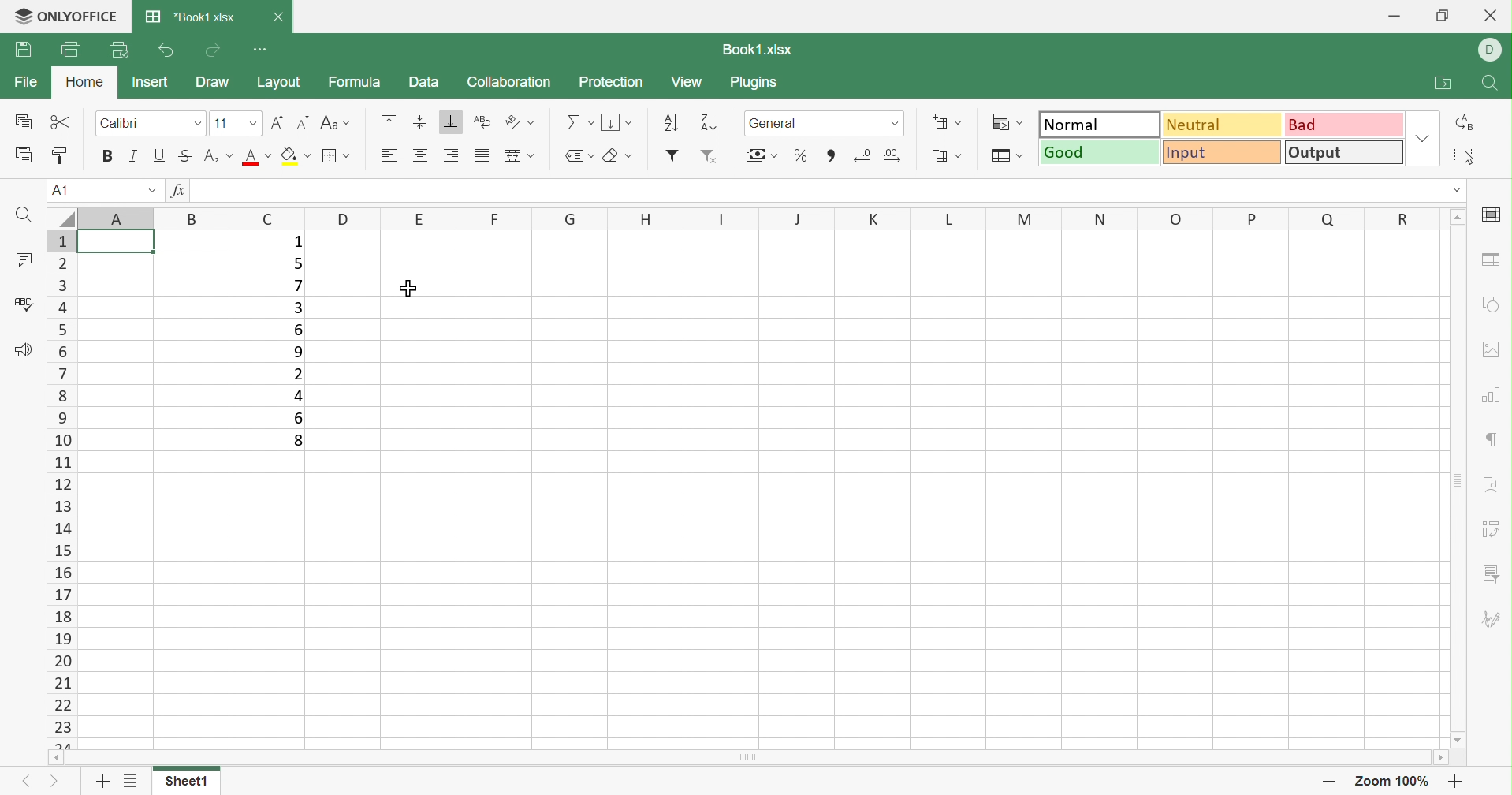  What do you see at coordinates (148, 82) in the screenshot?
I see `Insert` at bounding box center [148, 82].